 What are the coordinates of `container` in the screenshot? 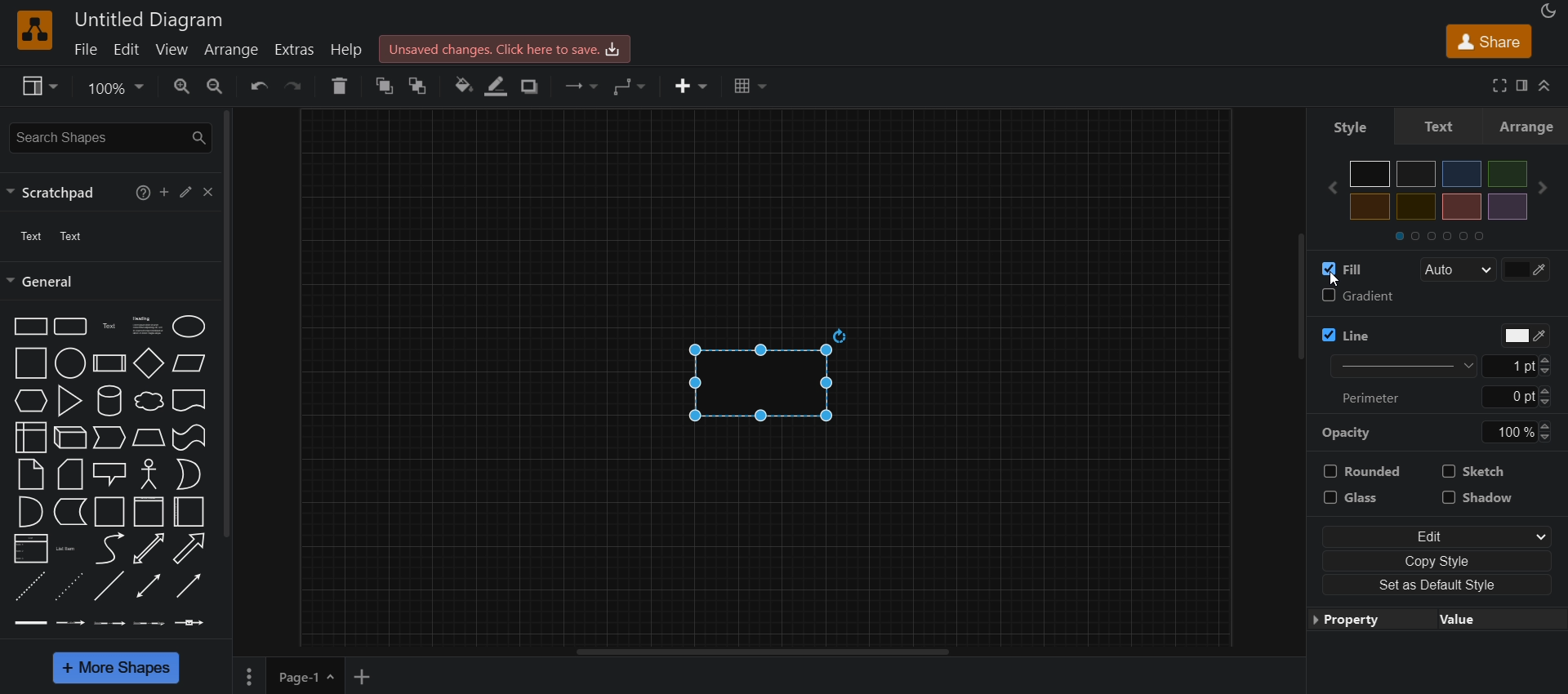 It's located at (109, 512).